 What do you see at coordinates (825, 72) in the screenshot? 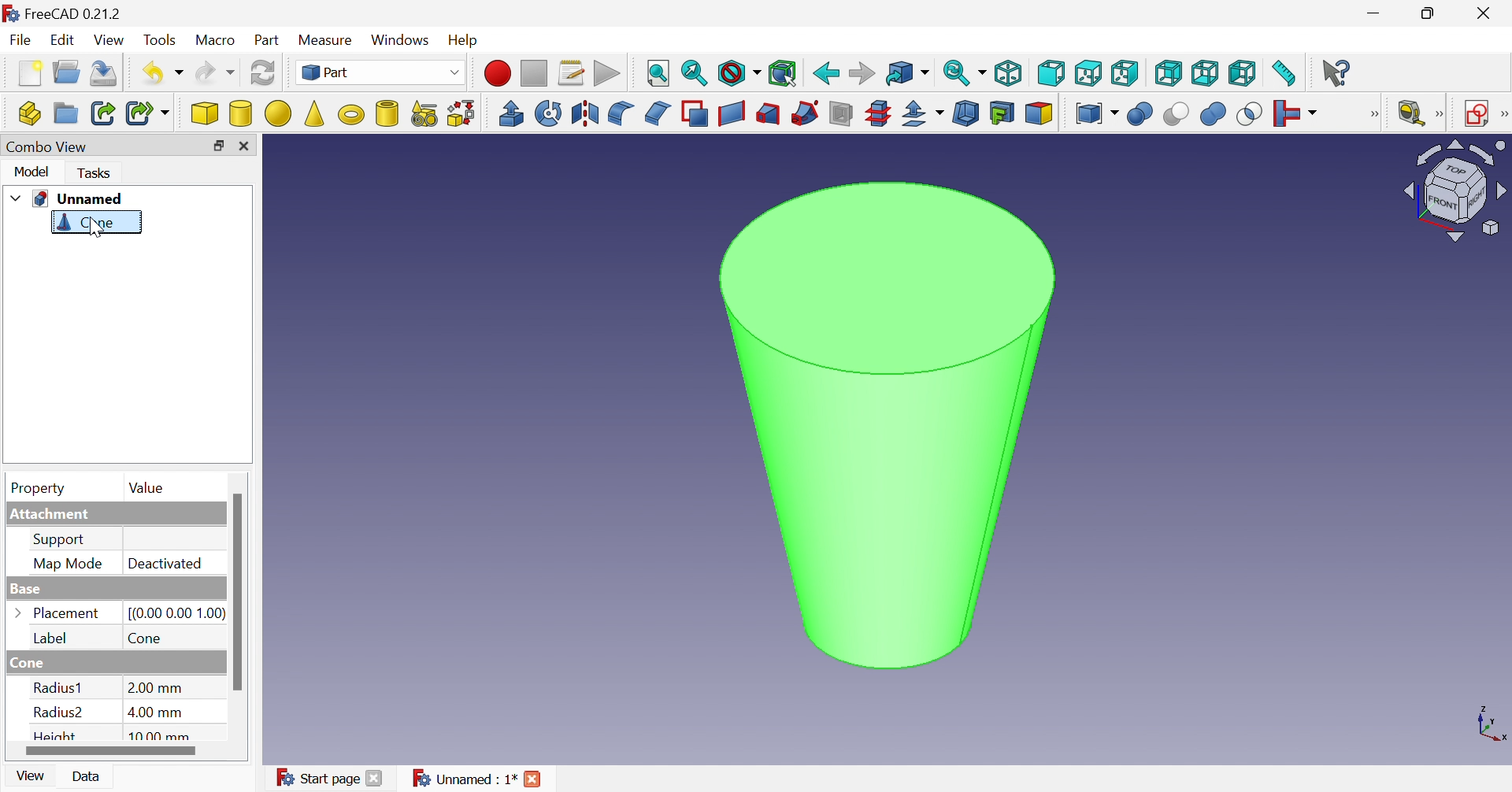
I see `Back` at bounding box center [825, 72].